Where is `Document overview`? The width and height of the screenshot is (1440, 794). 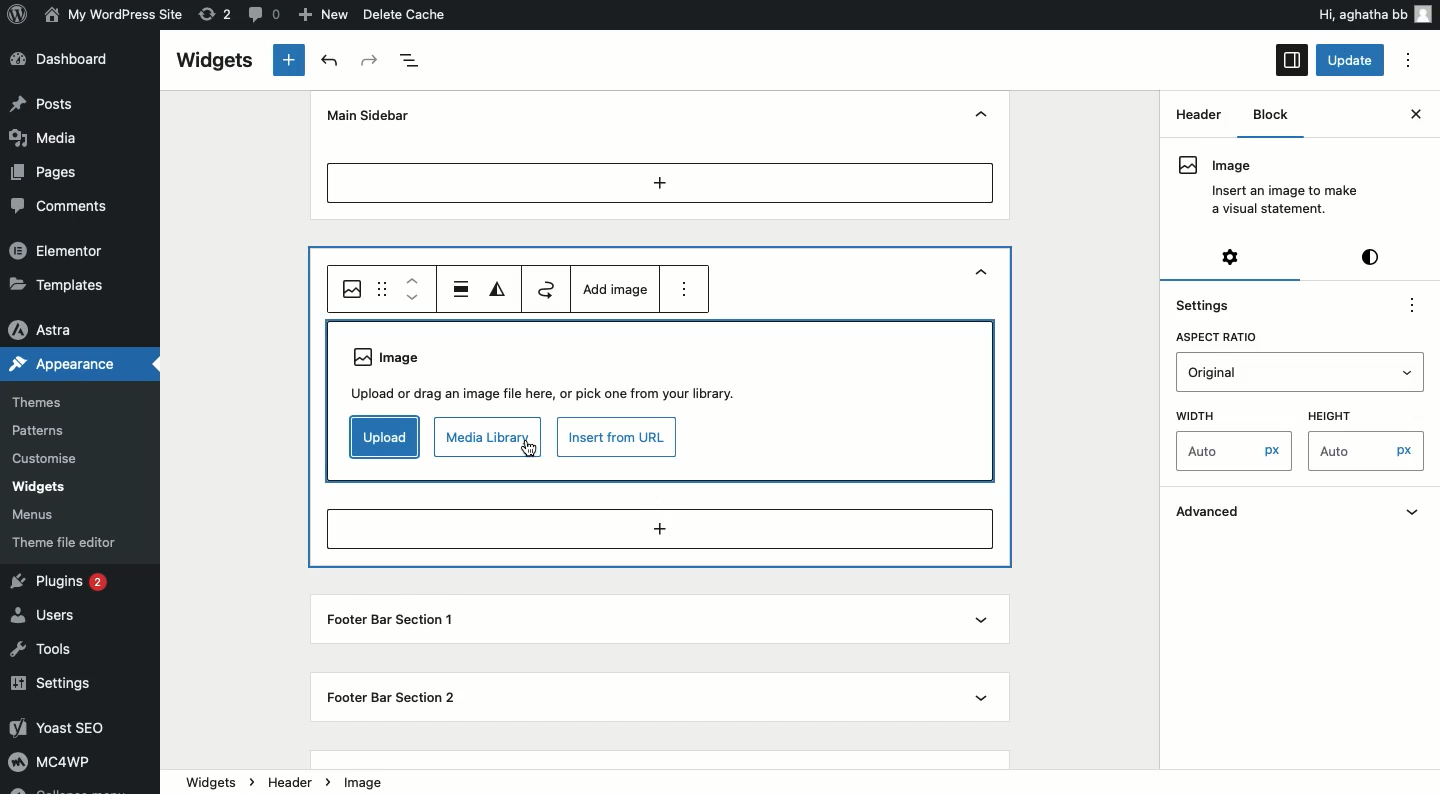
Document overview is located at coordinates (412, 61).